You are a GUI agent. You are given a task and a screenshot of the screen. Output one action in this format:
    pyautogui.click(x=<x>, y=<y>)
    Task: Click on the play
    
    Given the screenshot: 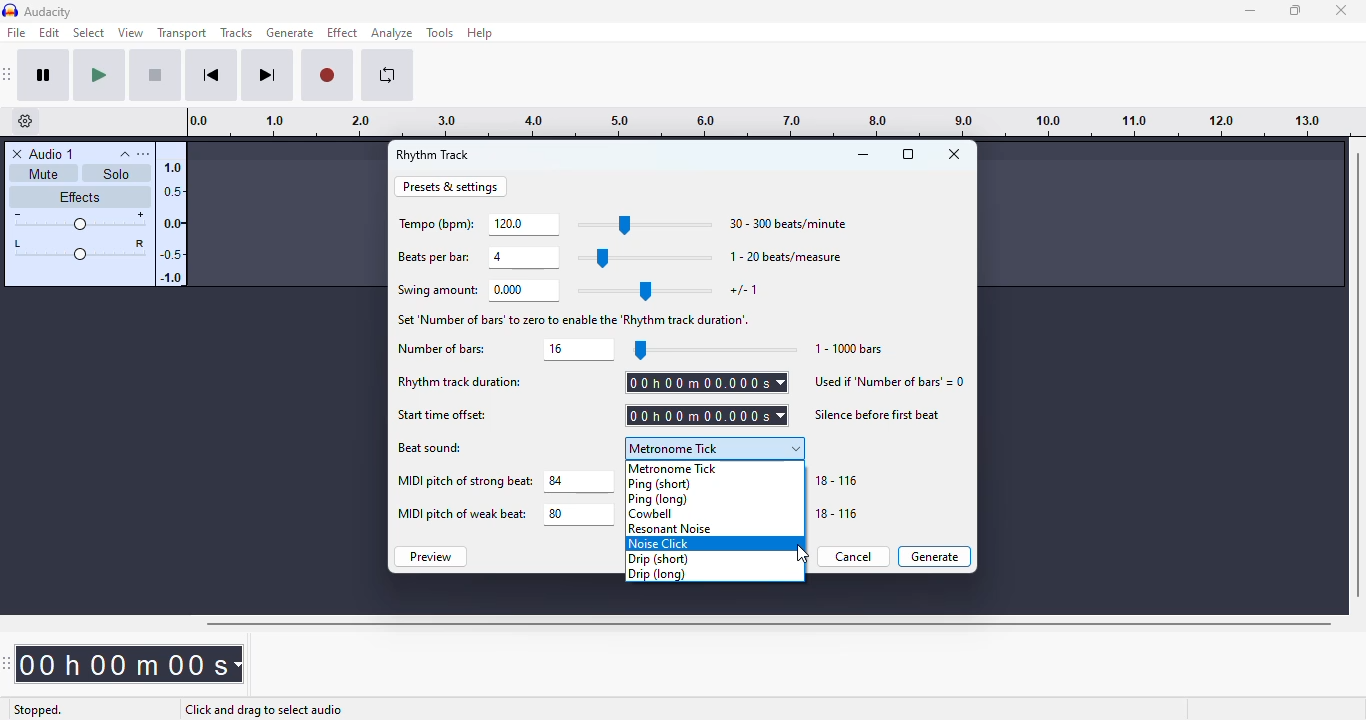 What is the action you would take?
    pyautogui.click(x=98, y=76)
    